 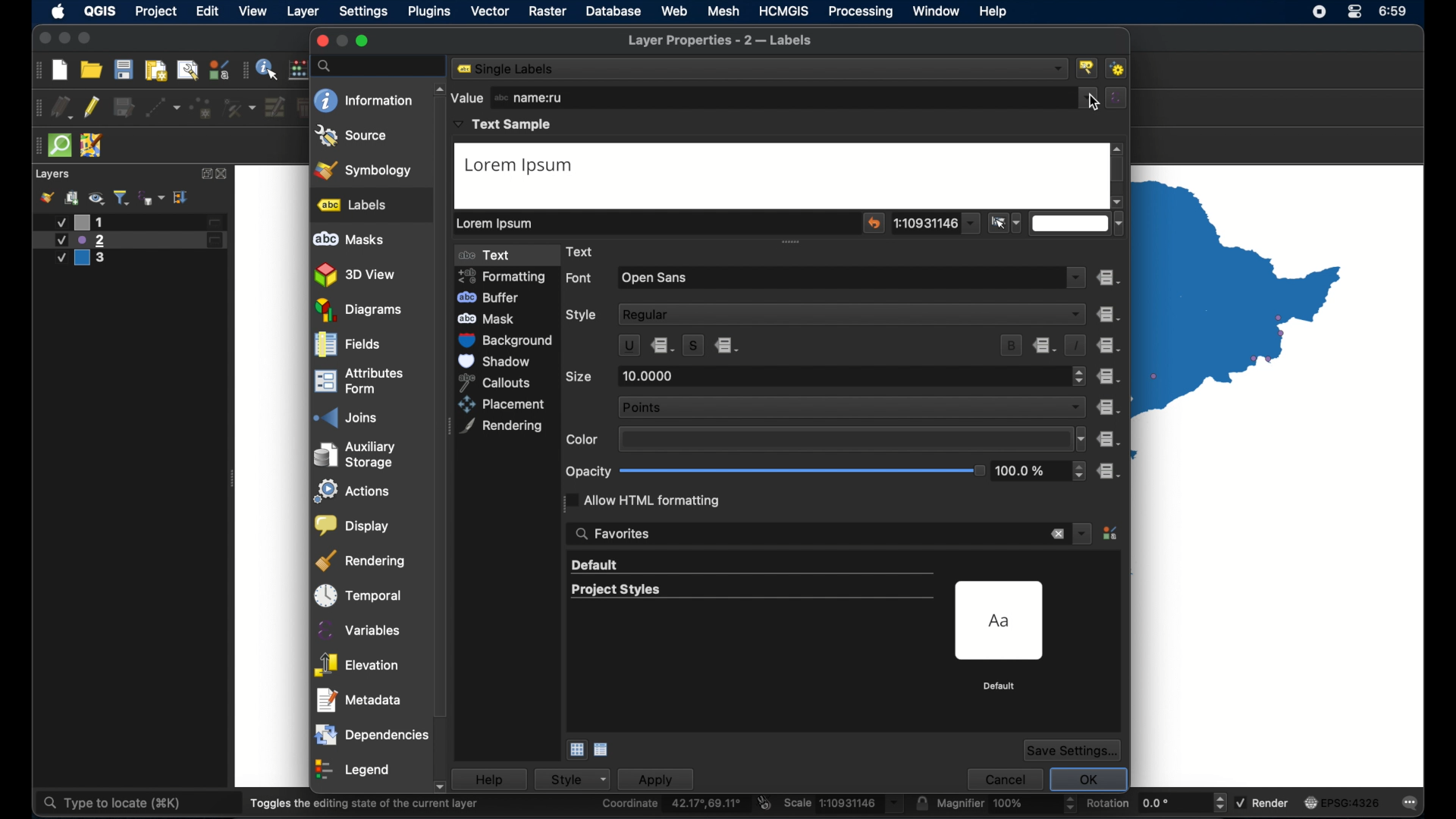 What do you see at coordinates (209, 11) in the screenshot?
I see `edit` at bounding box center [209, 11].